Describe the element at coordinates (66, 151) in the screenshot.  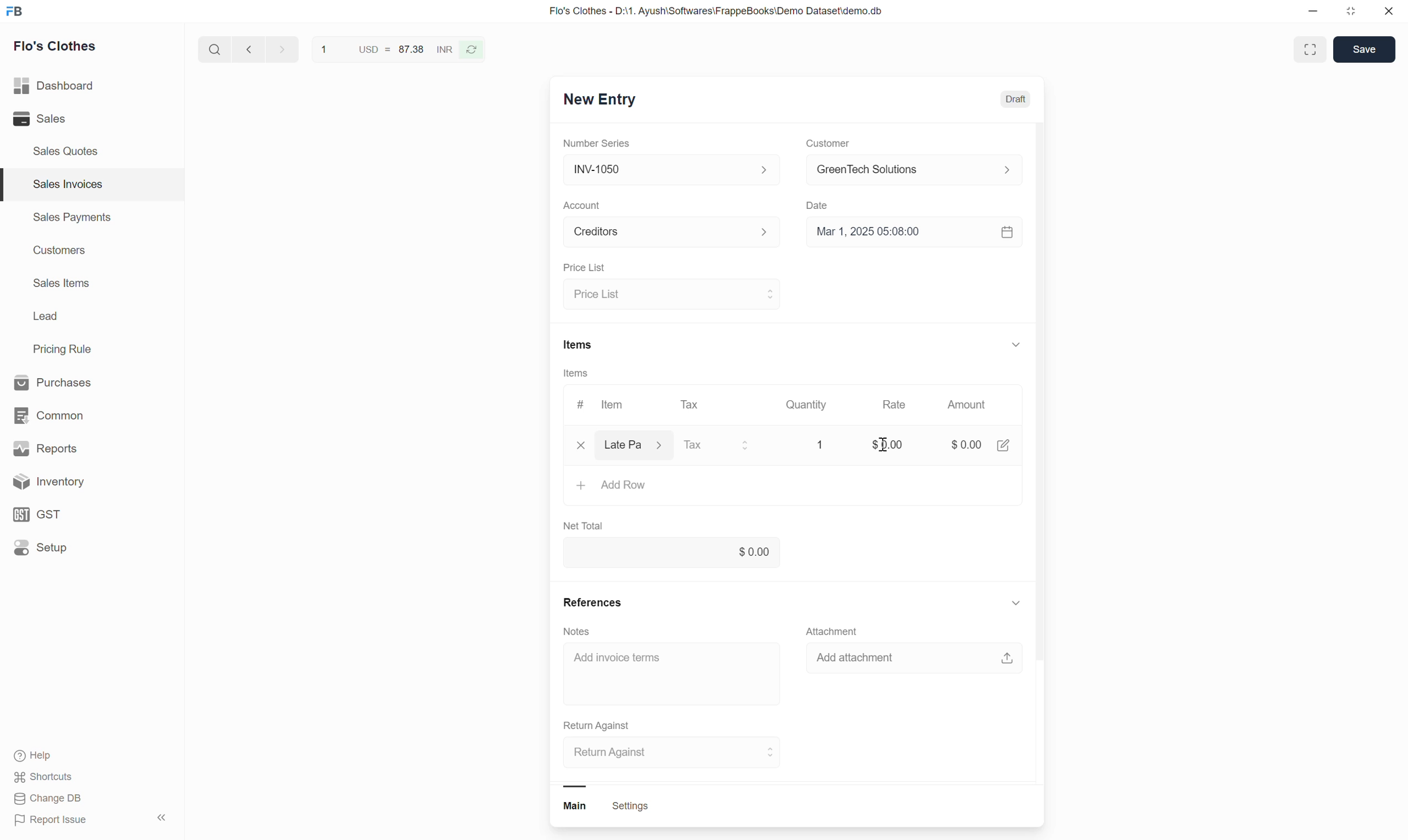
I see `Sales Quotes` at that location.